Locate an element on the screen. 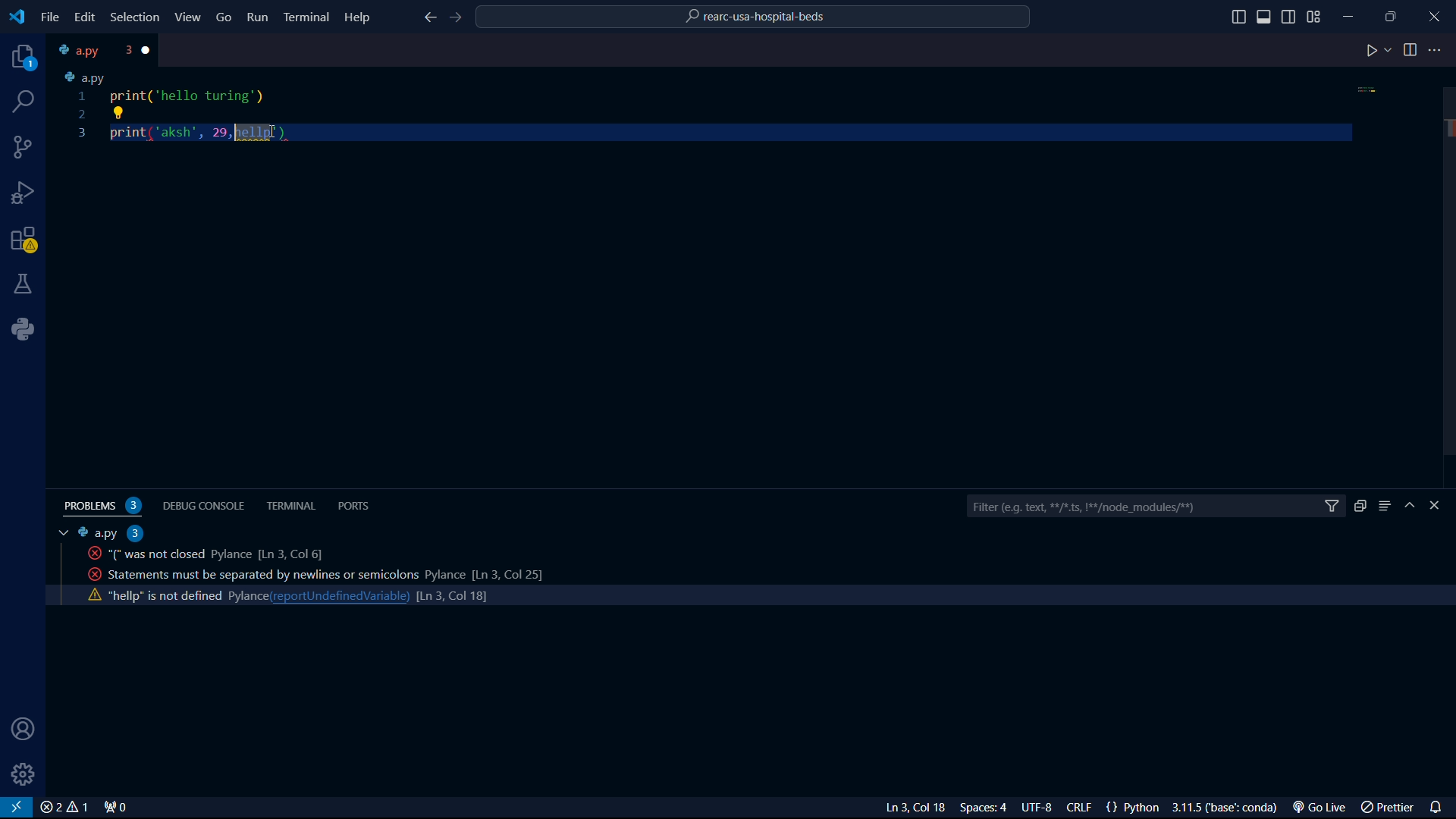 The width and height of the screenshot is (1456, 819). Selection is located at coordinates (137, 18).